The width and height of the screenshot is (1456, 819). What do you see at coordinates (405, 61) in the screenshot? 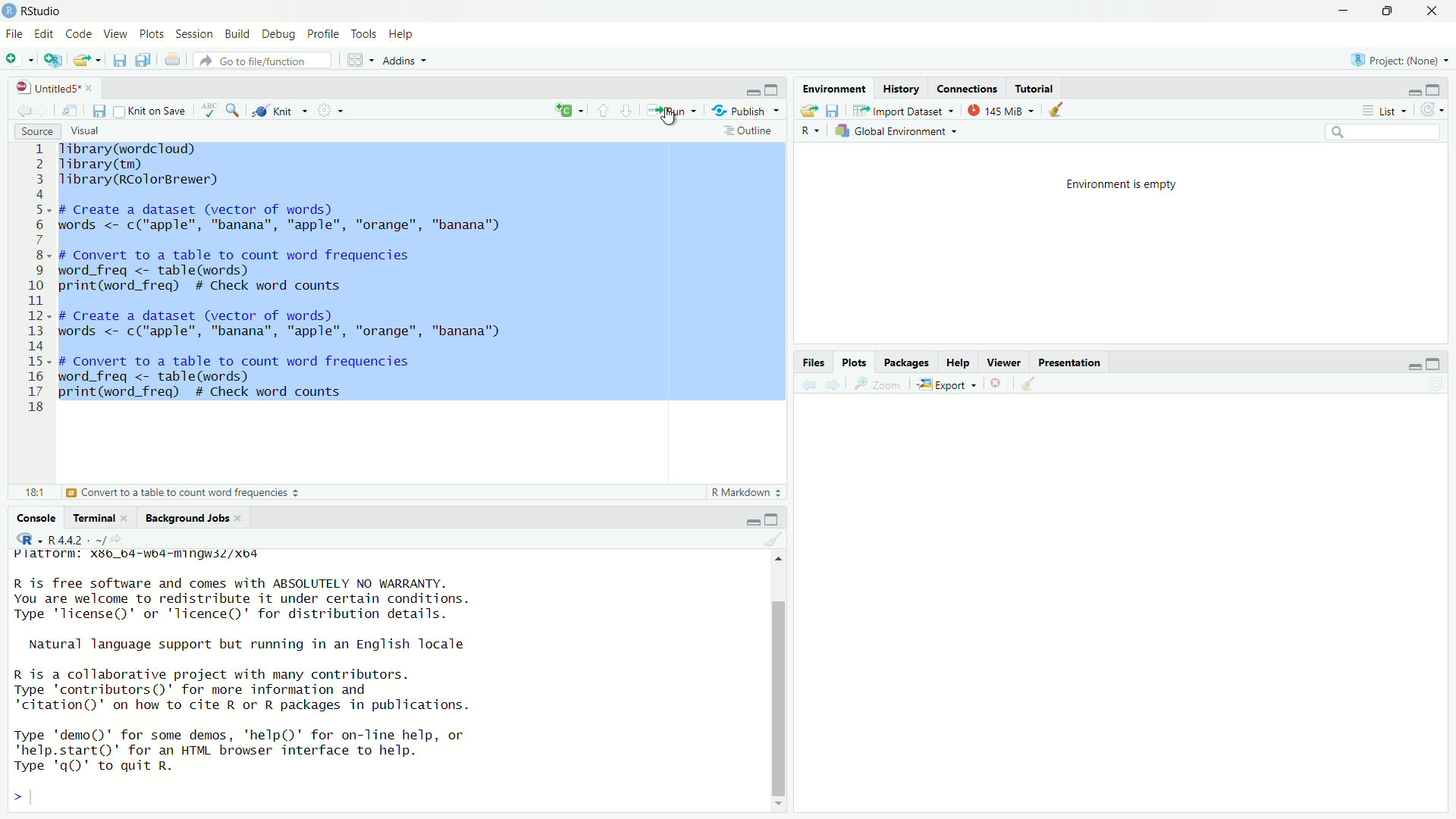
I see `Addins` at bounding box center [405, 61].